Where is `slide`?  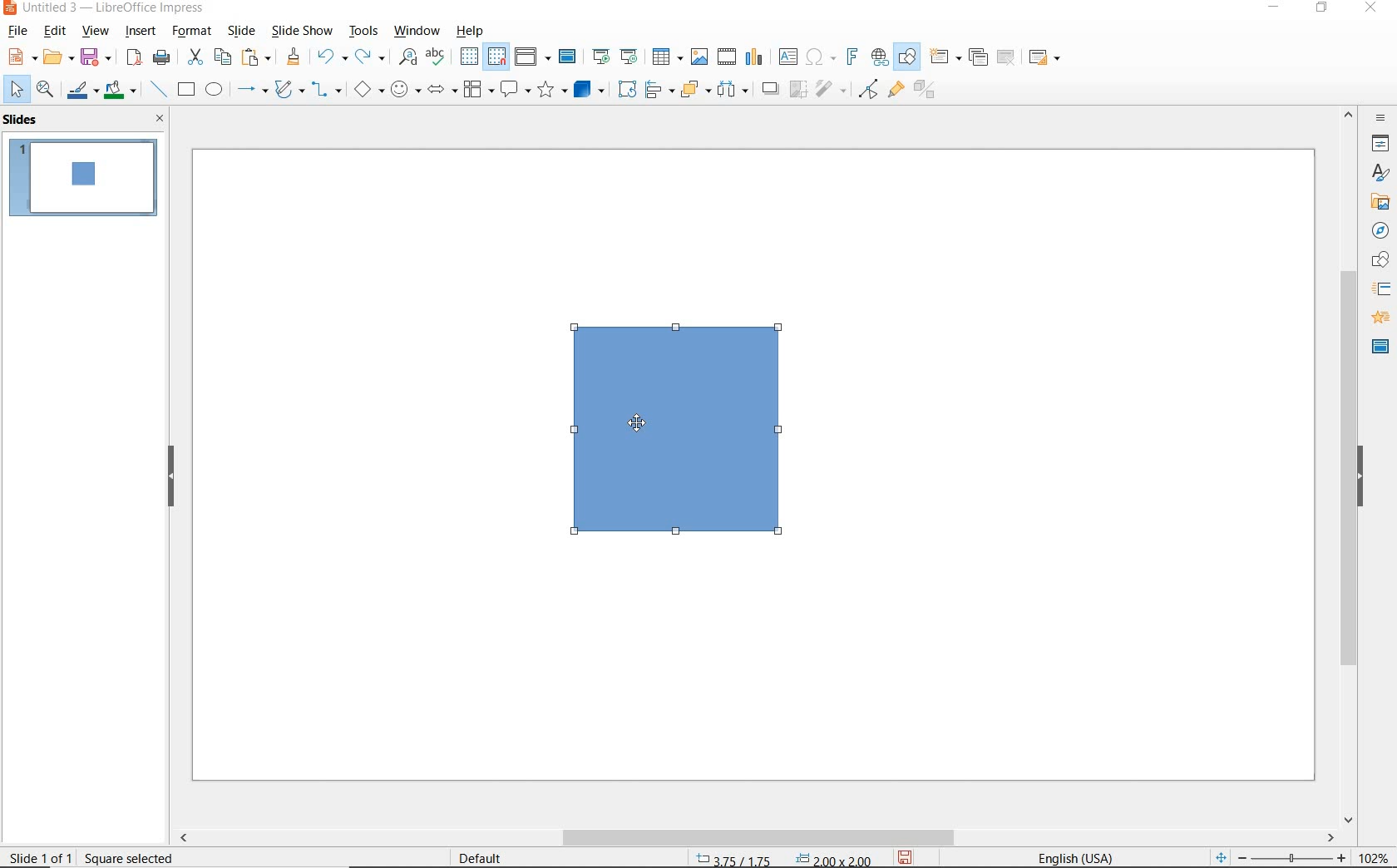
slide is located at coordinates (241, 32).